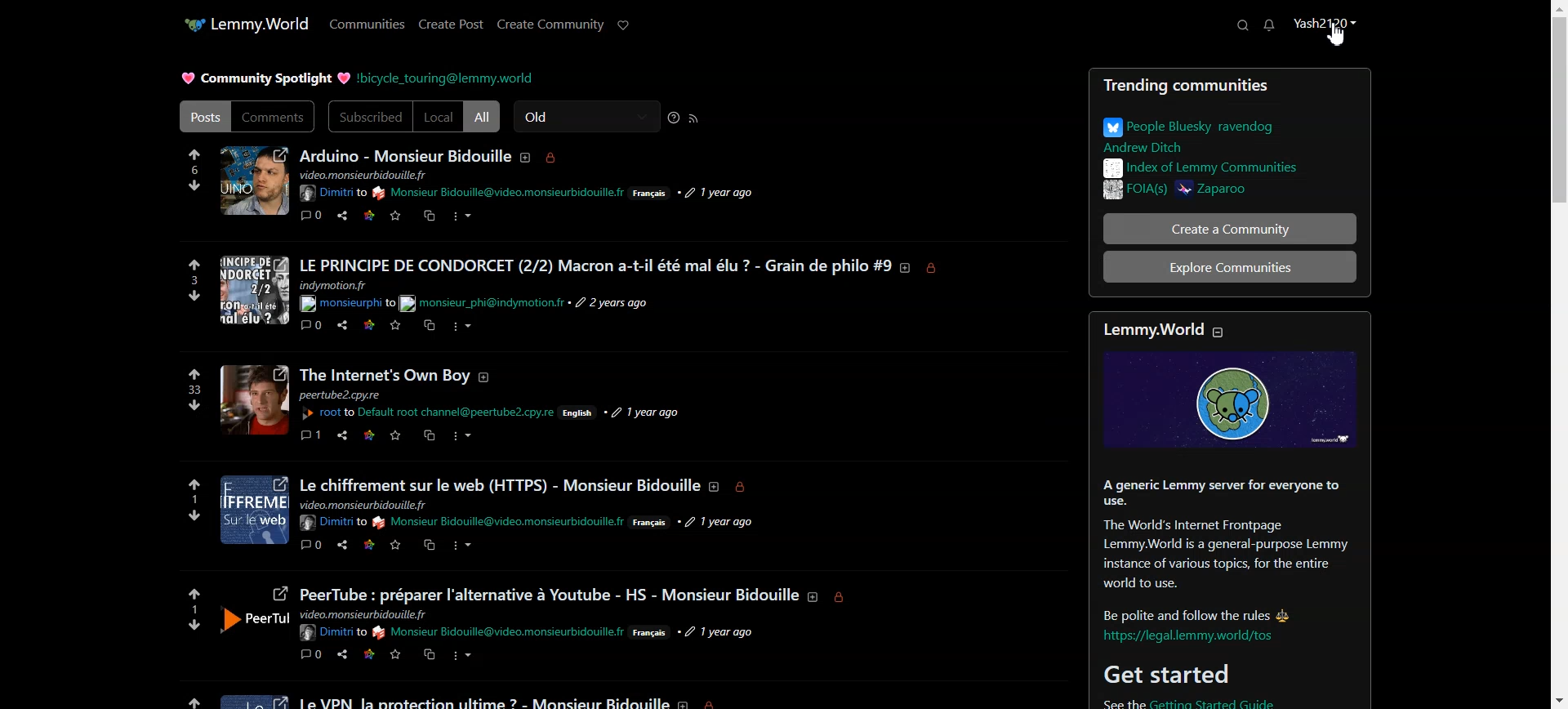 The image size is (1568, 709). Describe the element at coordinates (1241, 25) in the screenshot. I see `Search` at that location.